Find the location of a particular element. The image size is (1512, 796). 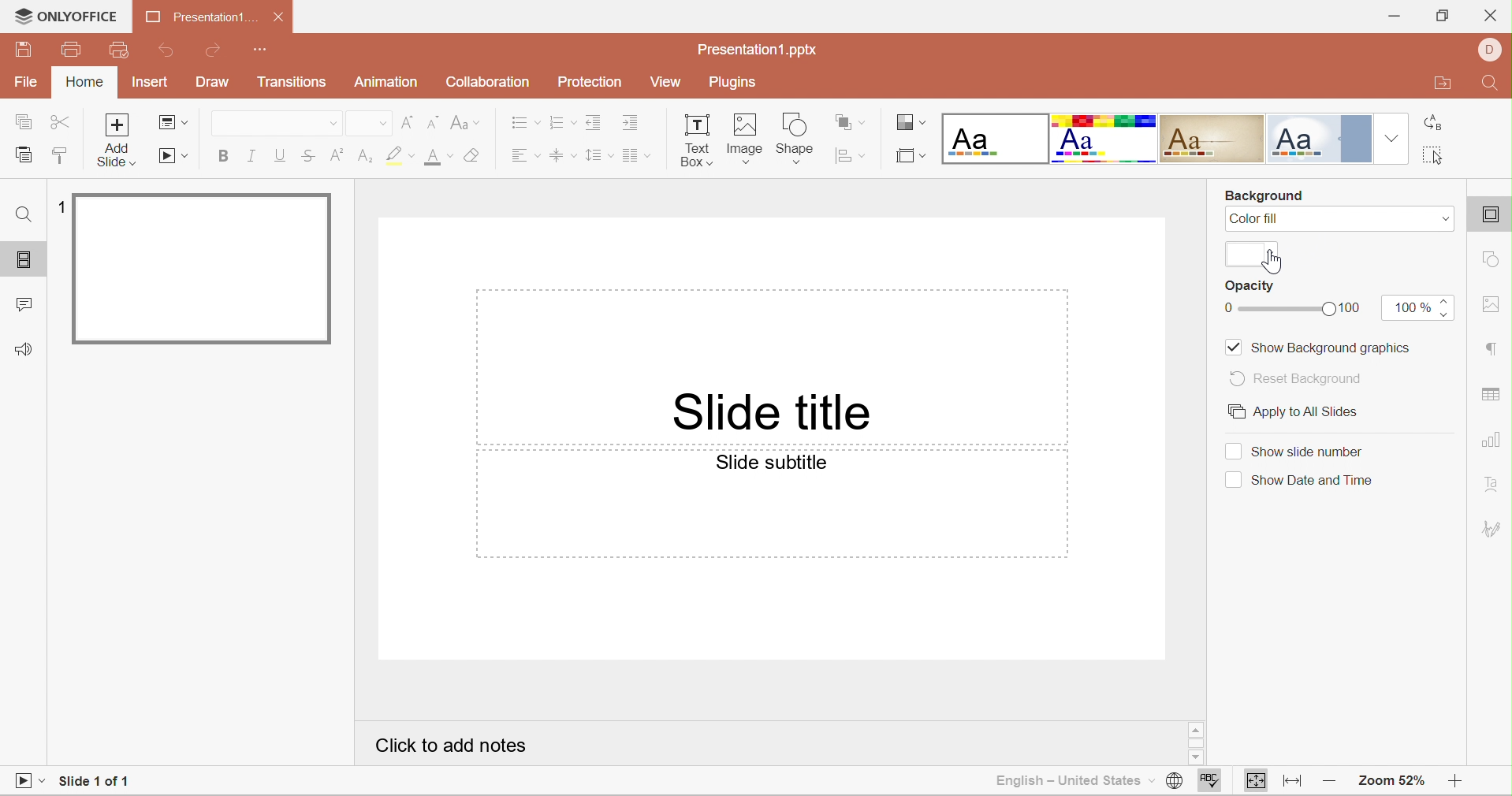

Save is located at coordinates (24, 48).